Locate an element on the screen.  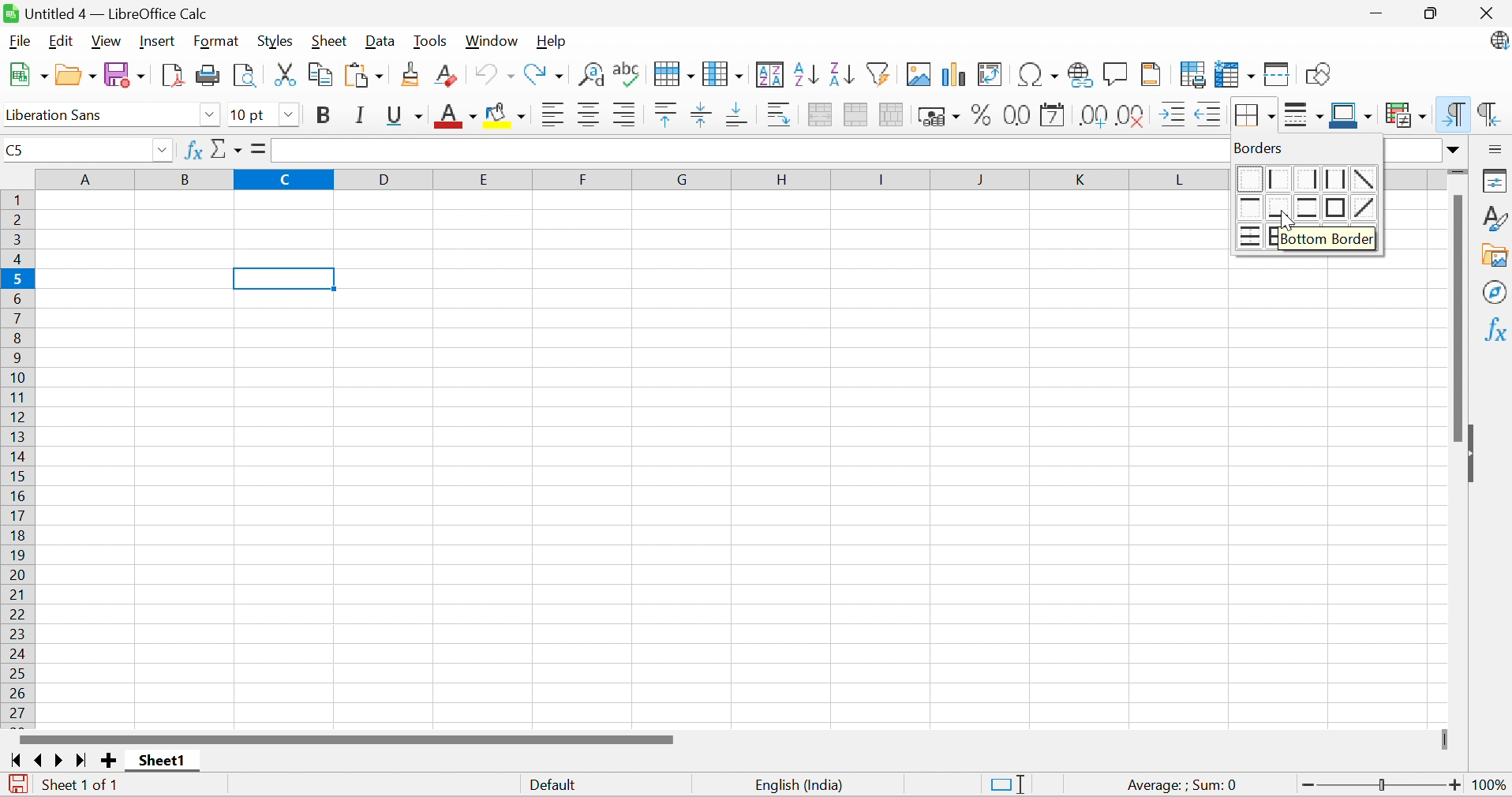
Autofiller is located at coordinates (877, 73).